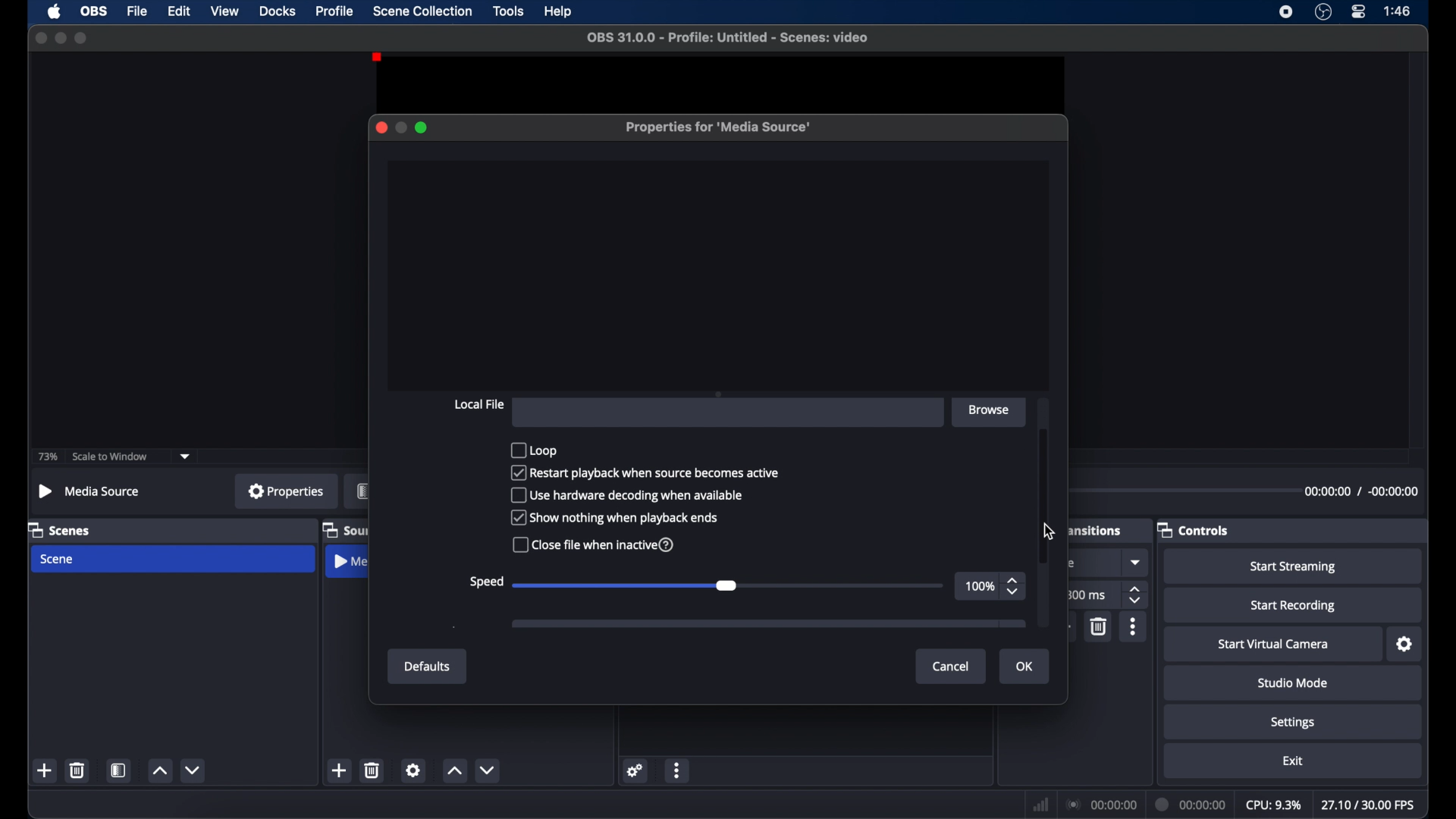 The height and width of the screenshot is (819, 1456). What do you see at coordinates (58, 560) in the screenshot?
I see `scene` at bounding box center [58, 560].